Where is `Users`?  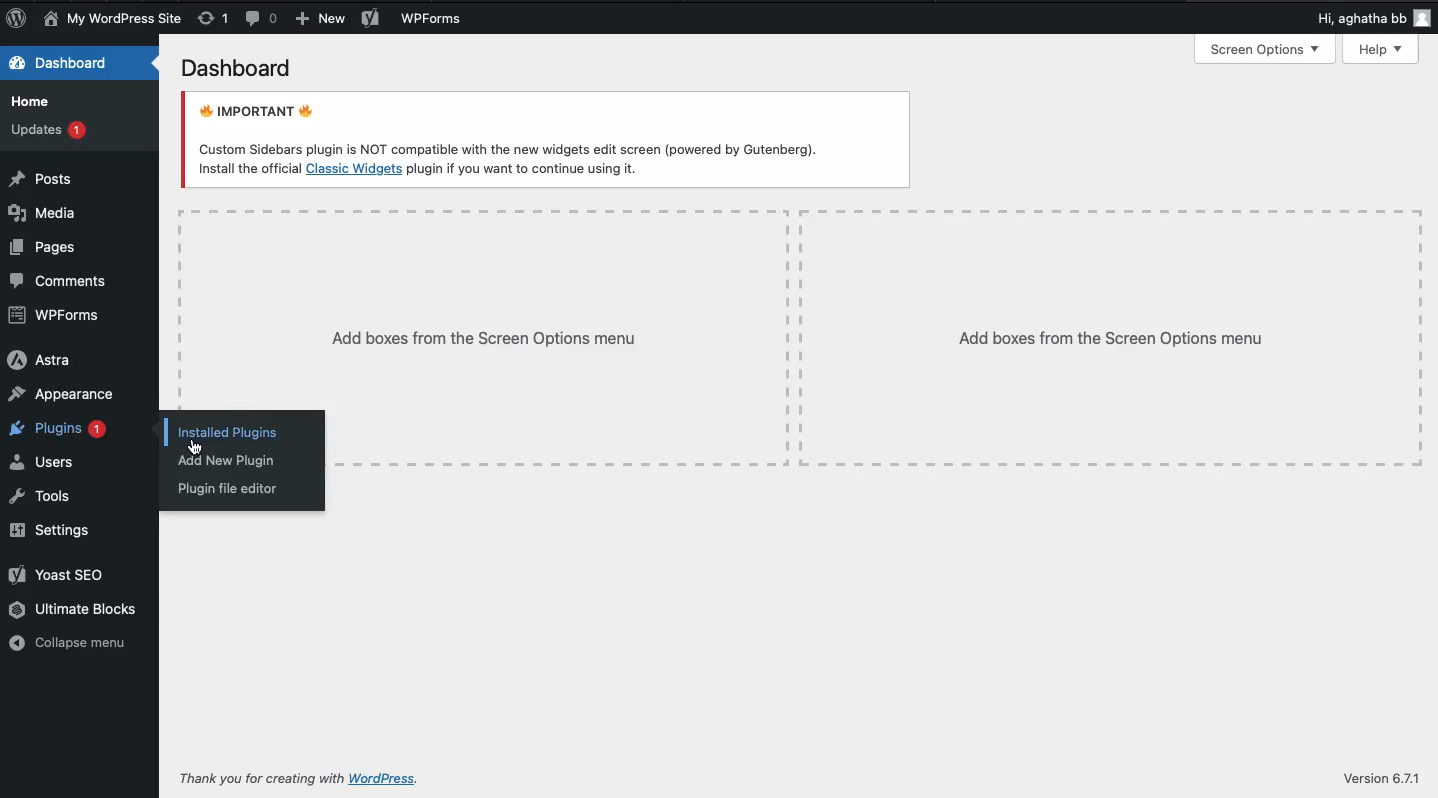 Users is located at coordinates (45, 462).